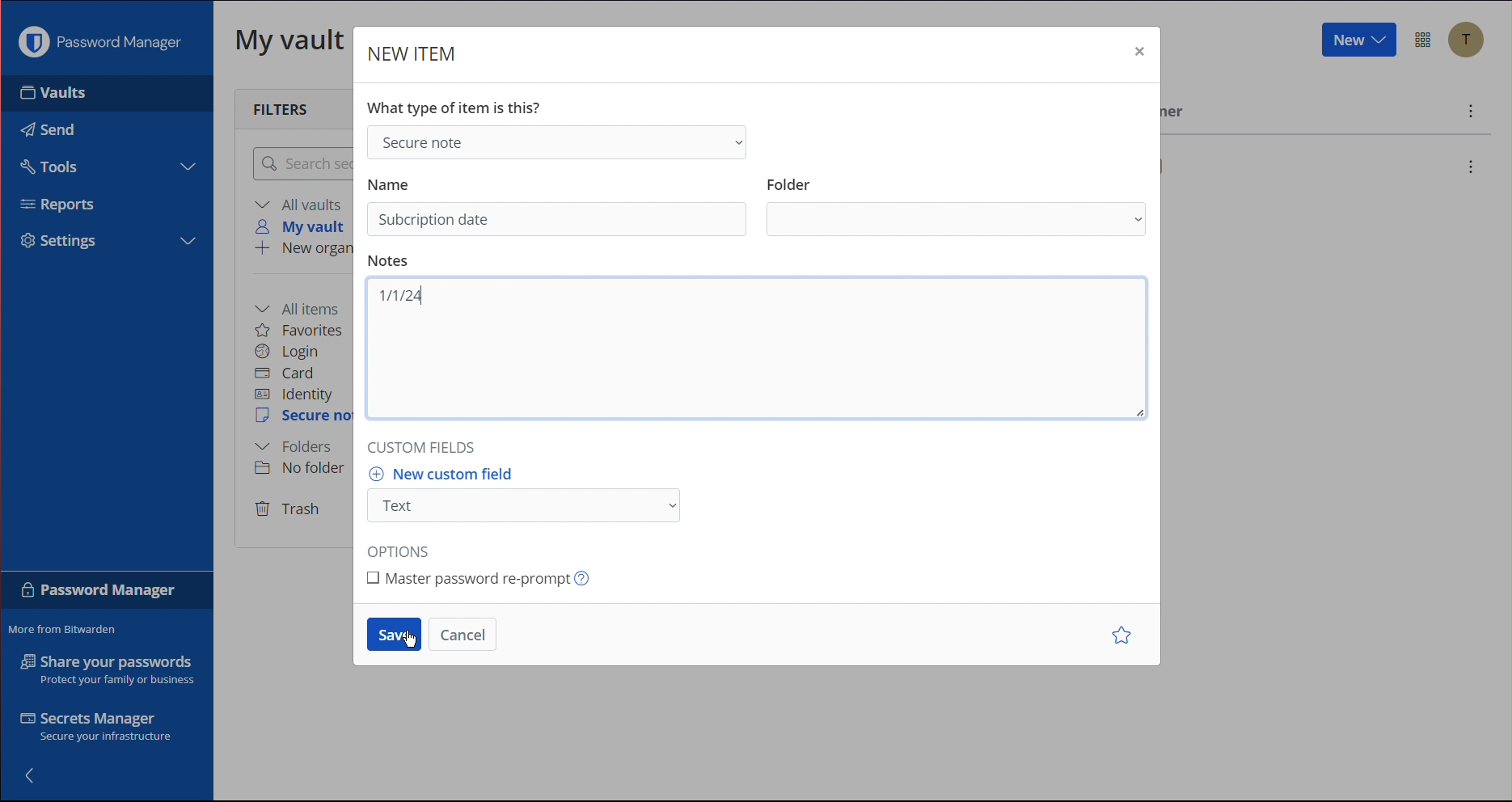 The width and height of the screenshot is (1512, 802). I want to click on All items, so click(302, 307).